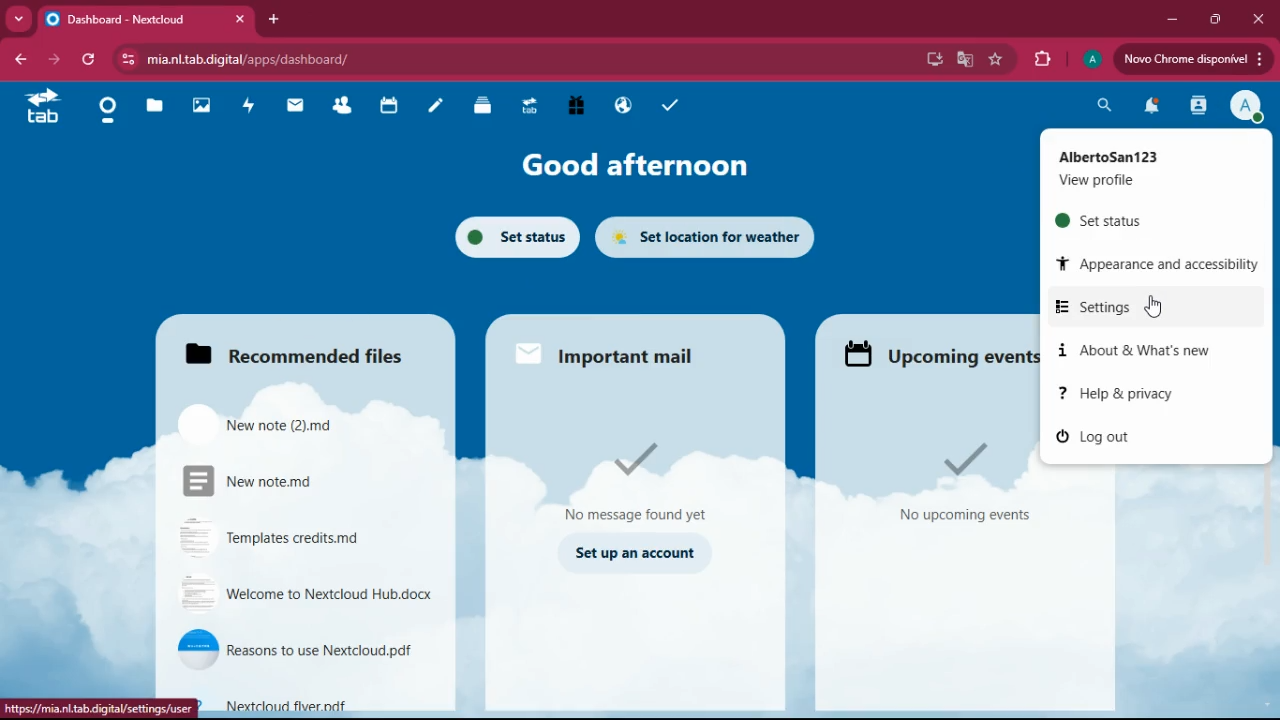  Describe the element at coordinates (1092, 62) in the screenshot. I see `profile` at that location.